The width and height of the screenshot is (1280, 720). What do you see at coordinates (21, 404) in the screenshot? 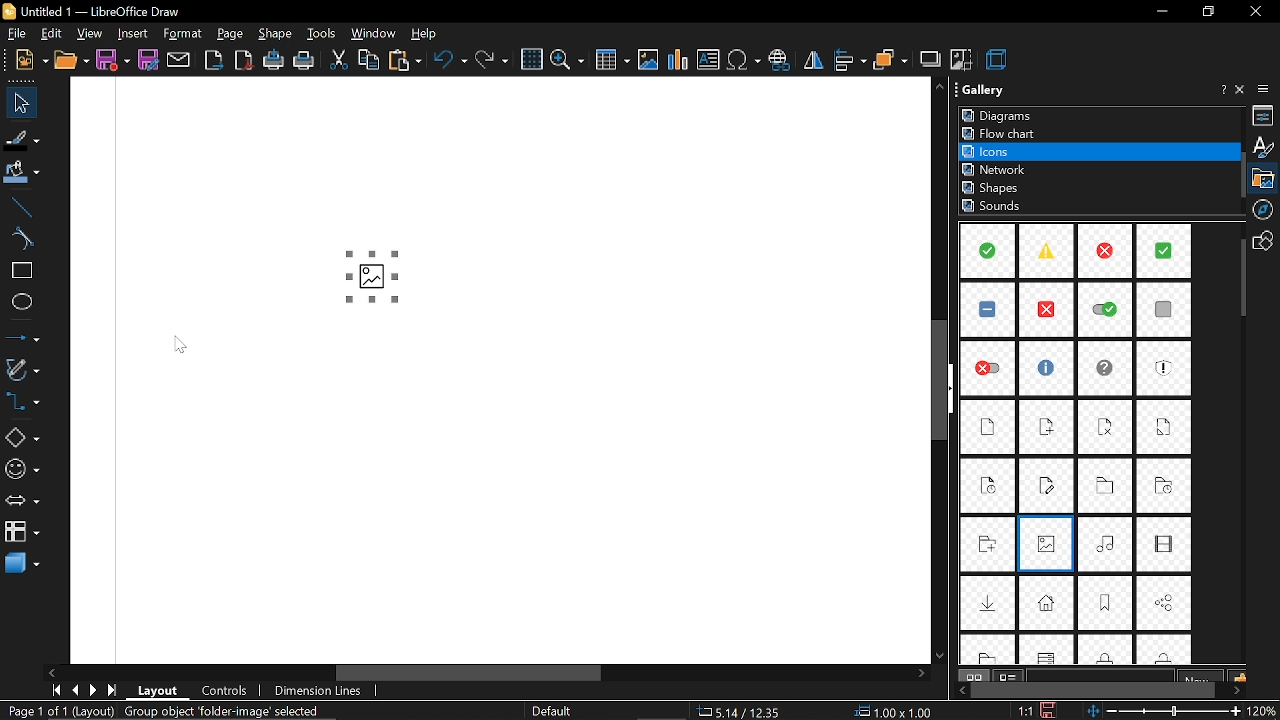
I see `connector` at bounding box center [21, 404].